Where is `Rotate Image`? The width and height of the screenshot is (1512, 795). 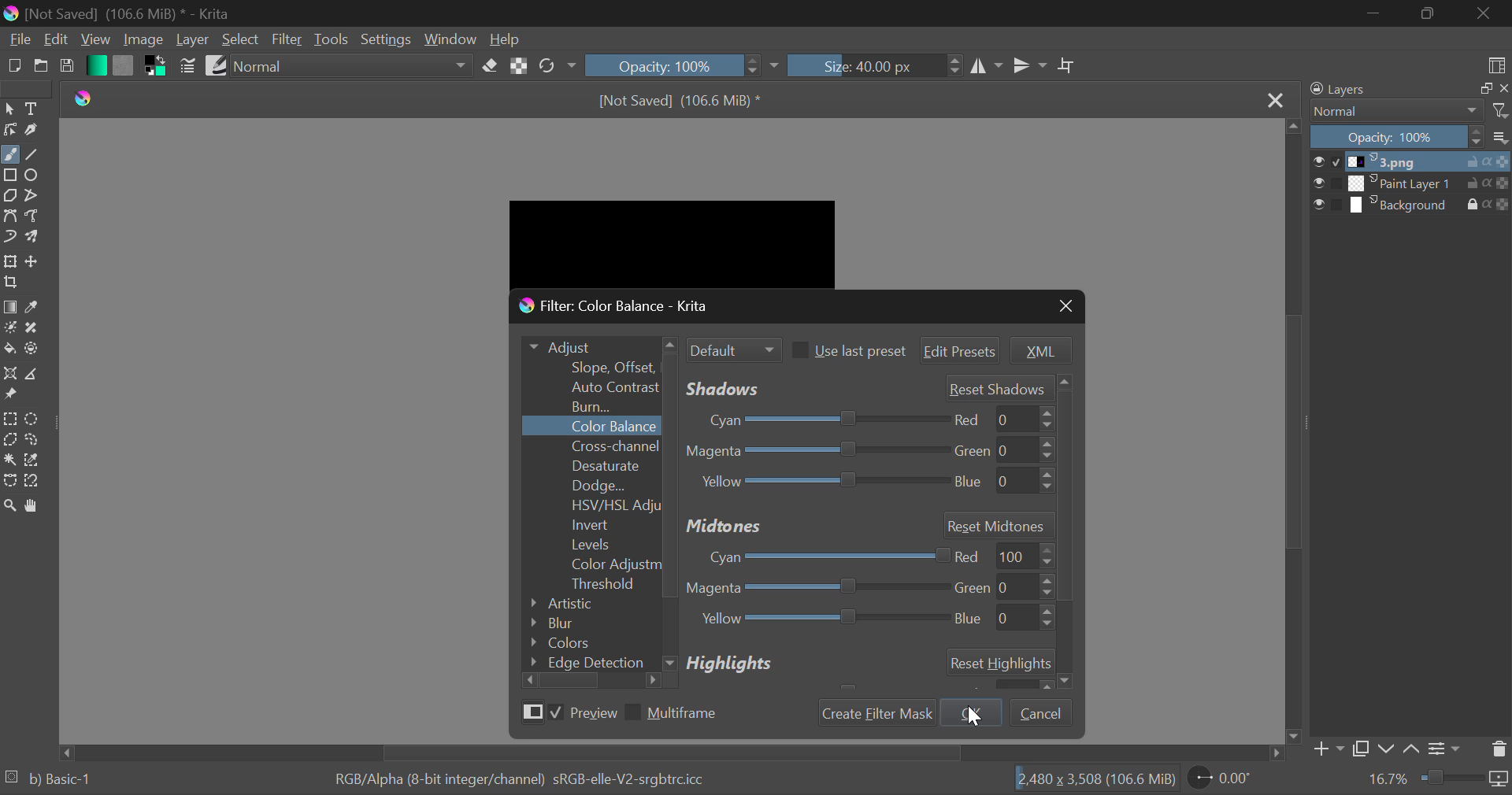 Rotate Image is located at coordinates (556, 66).